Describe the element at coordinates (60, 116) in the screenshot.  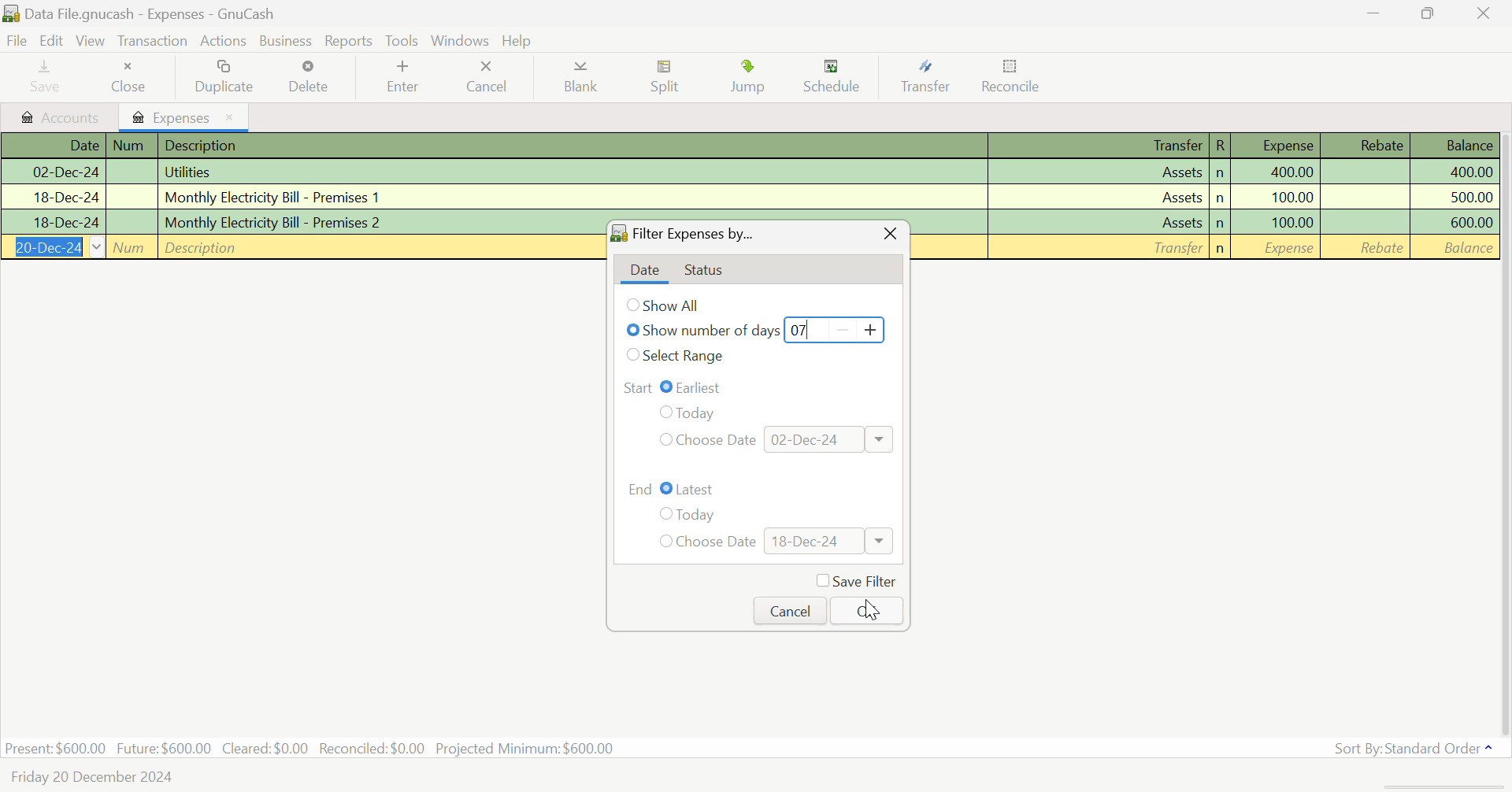
I see `Accounts tab` at that location.